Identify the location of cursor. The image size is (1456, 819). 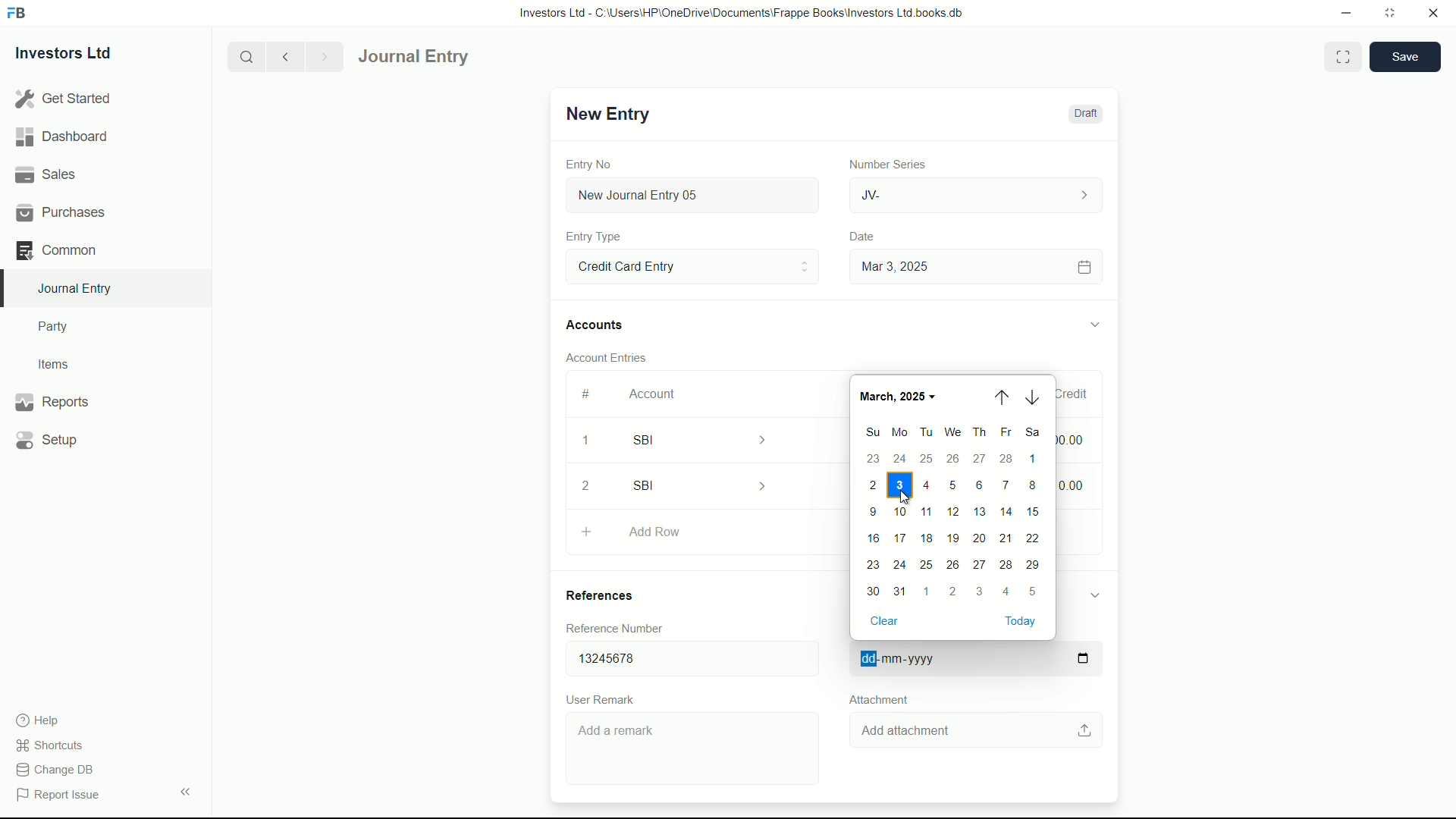
(905, 497).